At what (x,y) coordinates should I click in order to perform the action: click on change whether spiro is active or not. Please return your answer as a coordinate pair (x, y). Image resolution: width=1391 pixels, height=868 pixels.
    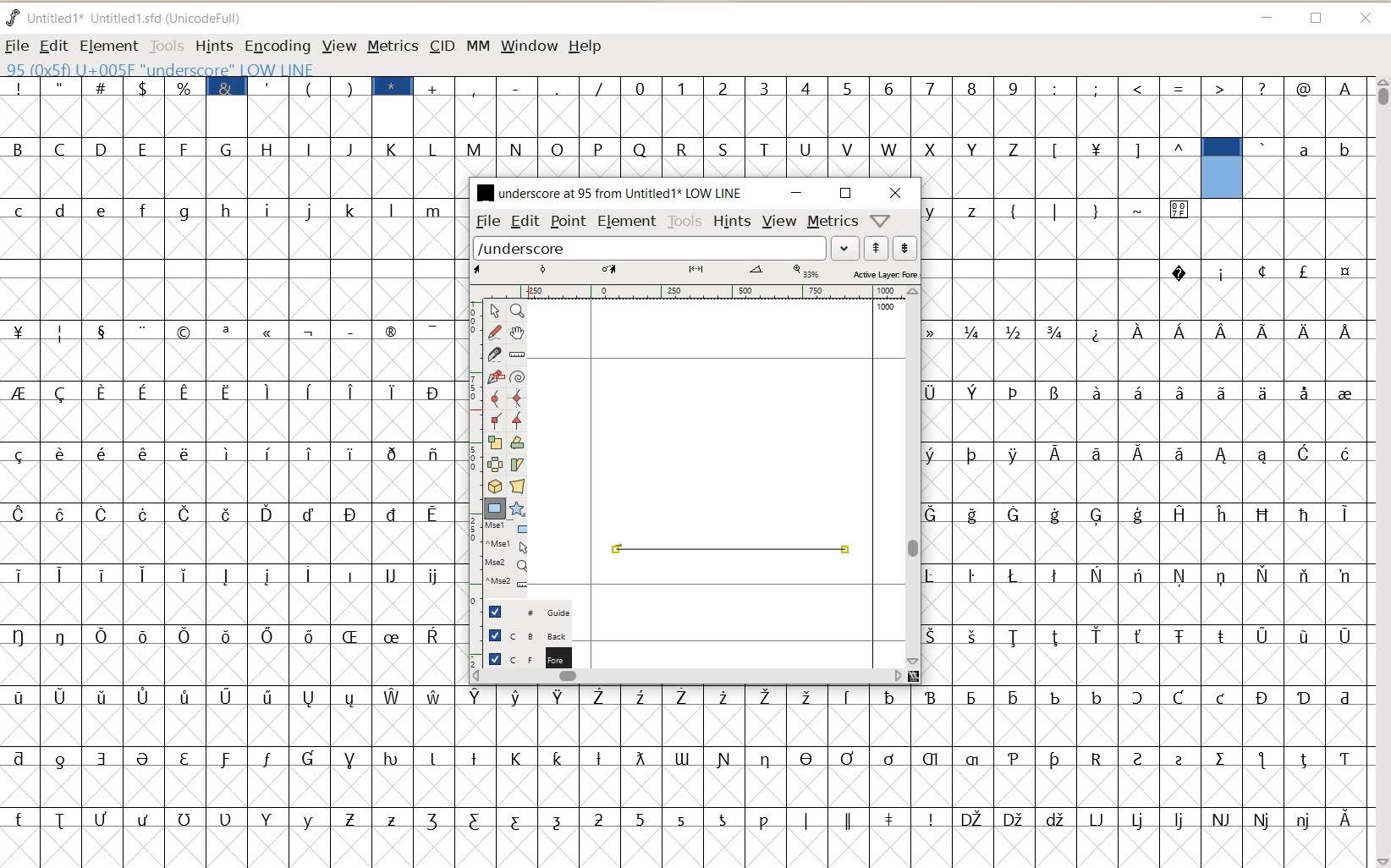
    Looking at the image, I should click on (517, 375).